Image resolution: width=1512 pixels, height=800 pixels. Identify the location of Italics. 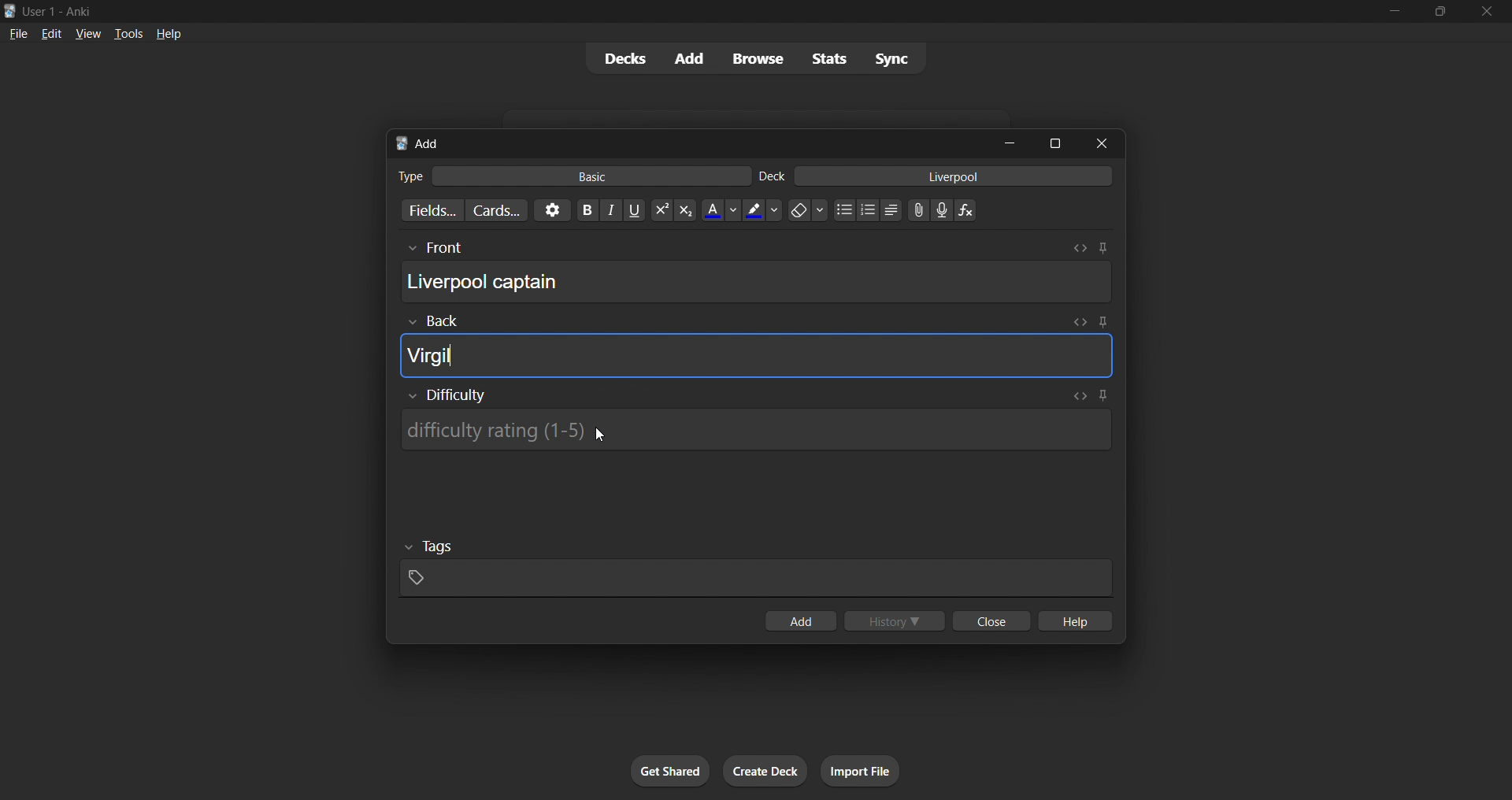
(611, 210).